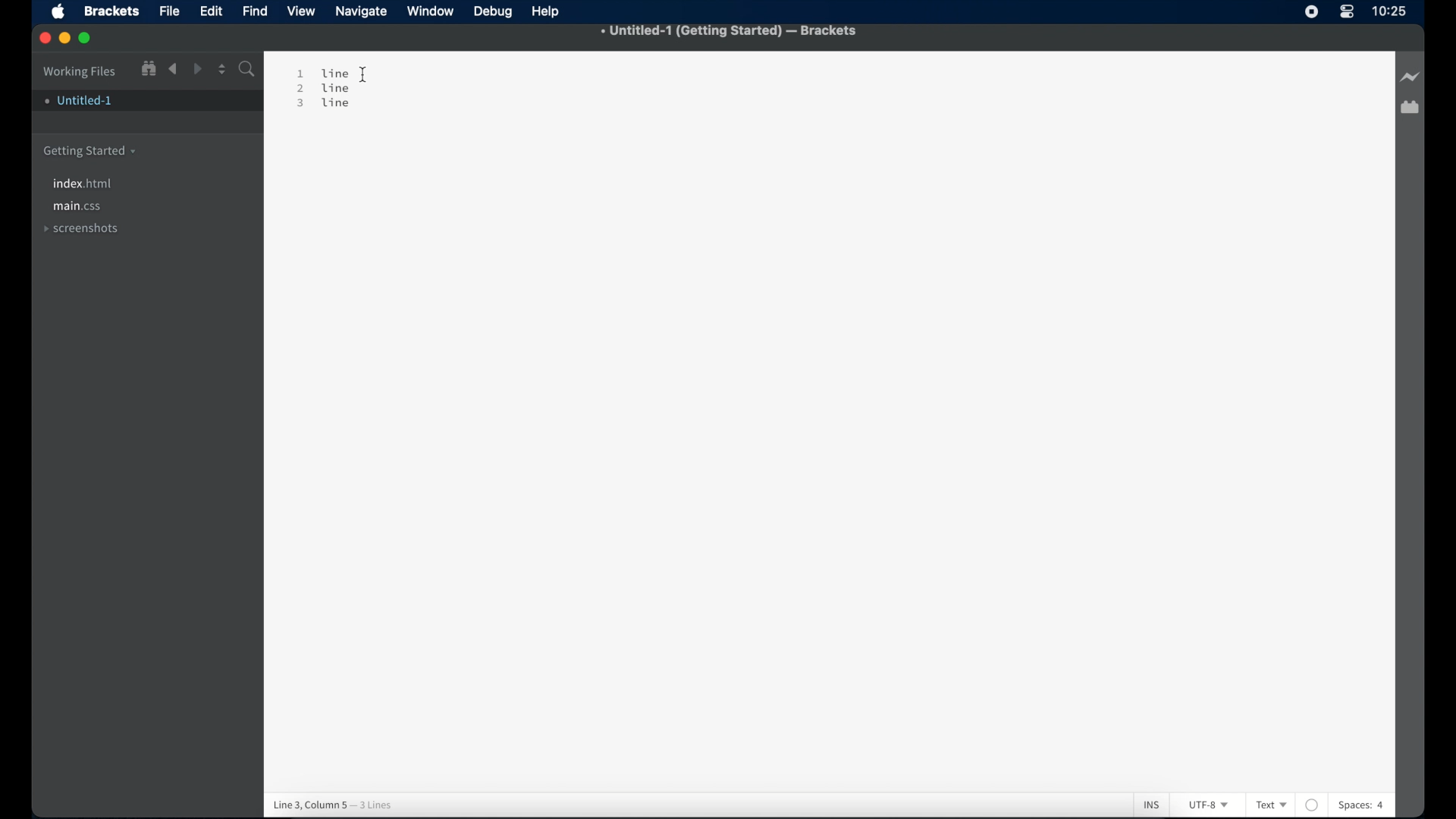 This screenshot has height=819, width=1456. What do you see at coordinates (170, 11) in the screenshot?
I see `file` at bounding box center [170, 11].